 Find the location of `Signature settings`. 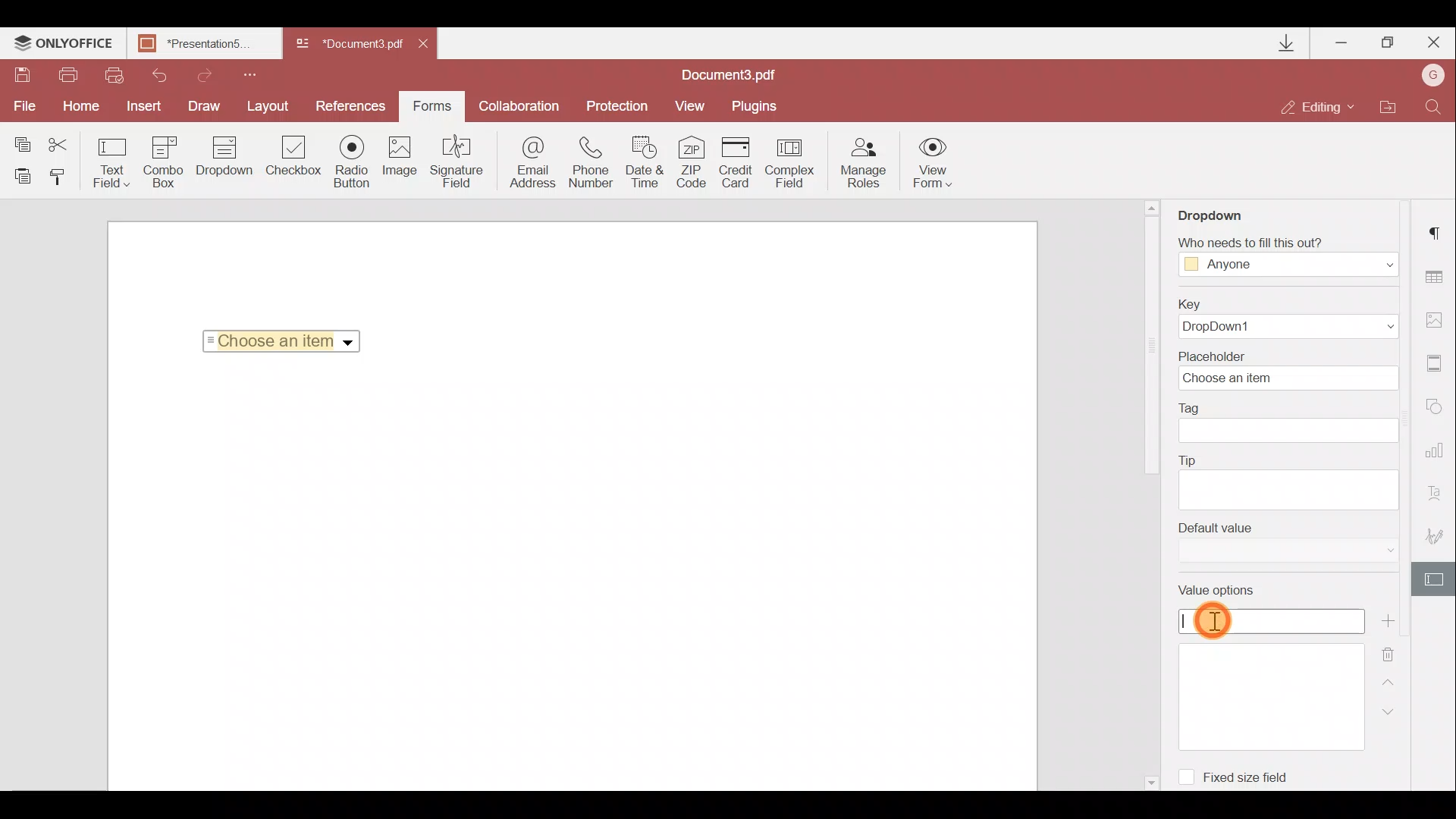

Signature settings is located at coordinates (1438, 540).